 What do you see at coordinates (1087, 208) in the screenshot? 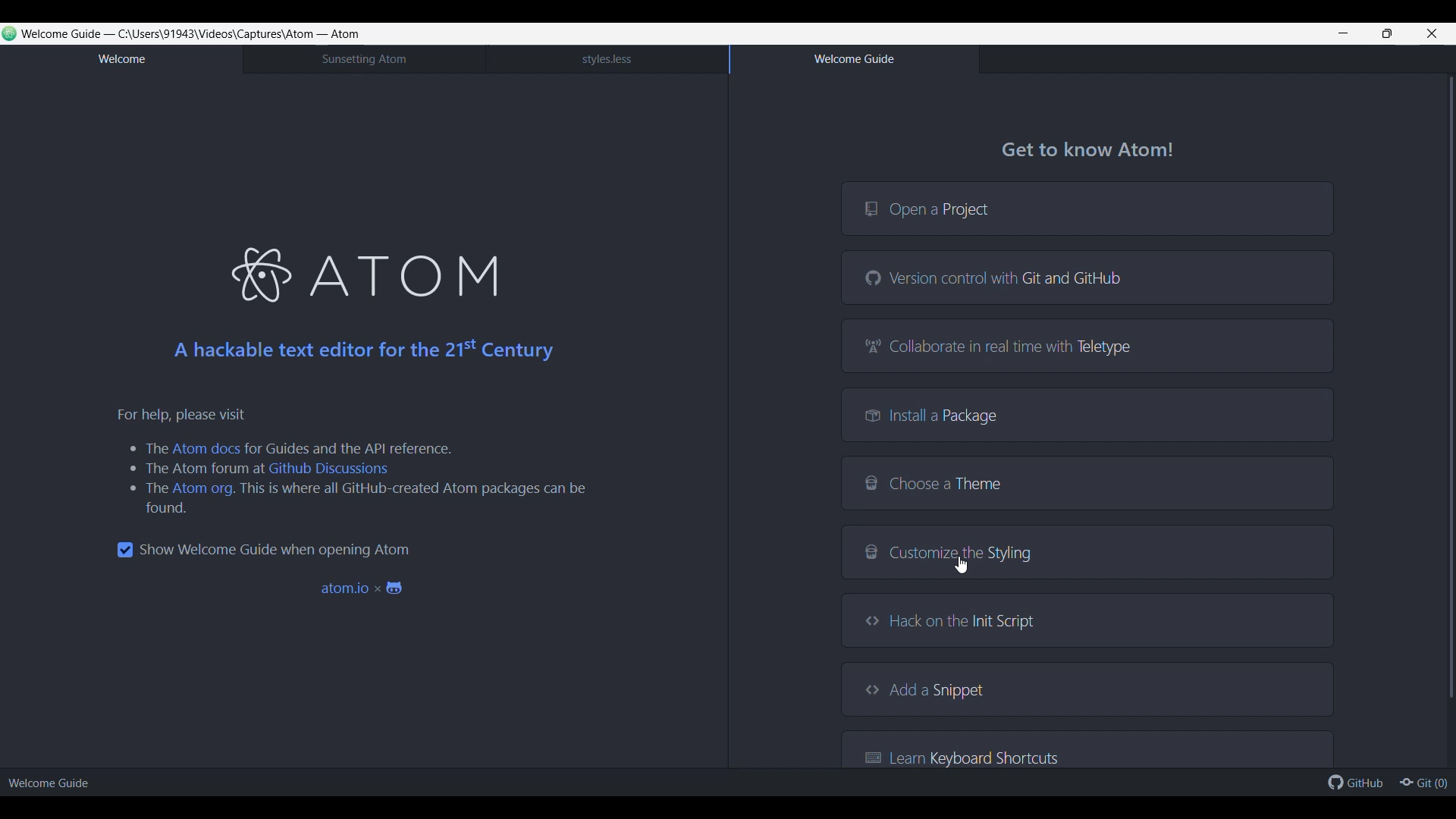
I see `Open a project` at bounding box center [1087, 208].